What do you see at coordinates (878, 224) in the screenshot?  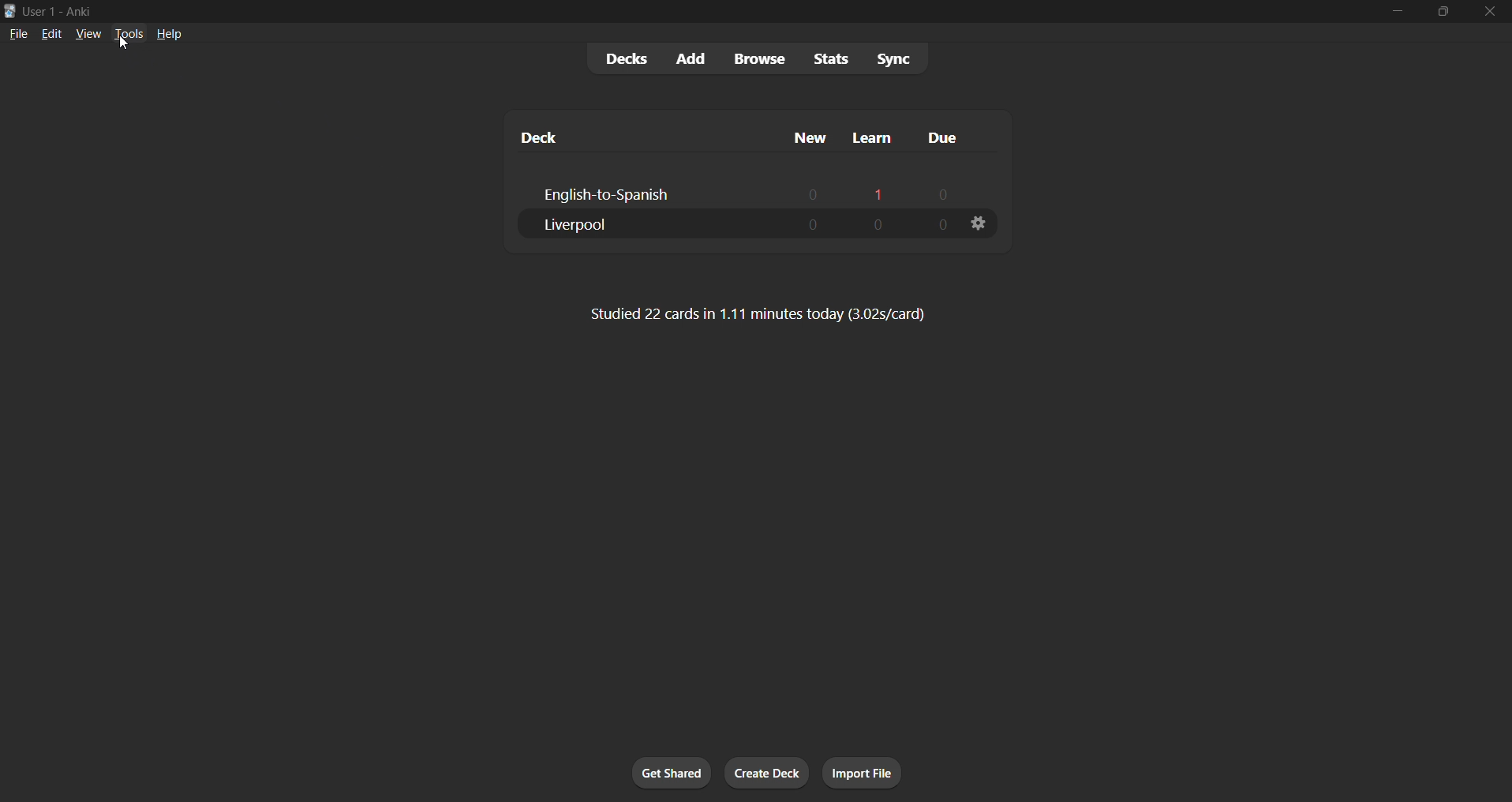 I see `0` at bounding box center [878, 224].